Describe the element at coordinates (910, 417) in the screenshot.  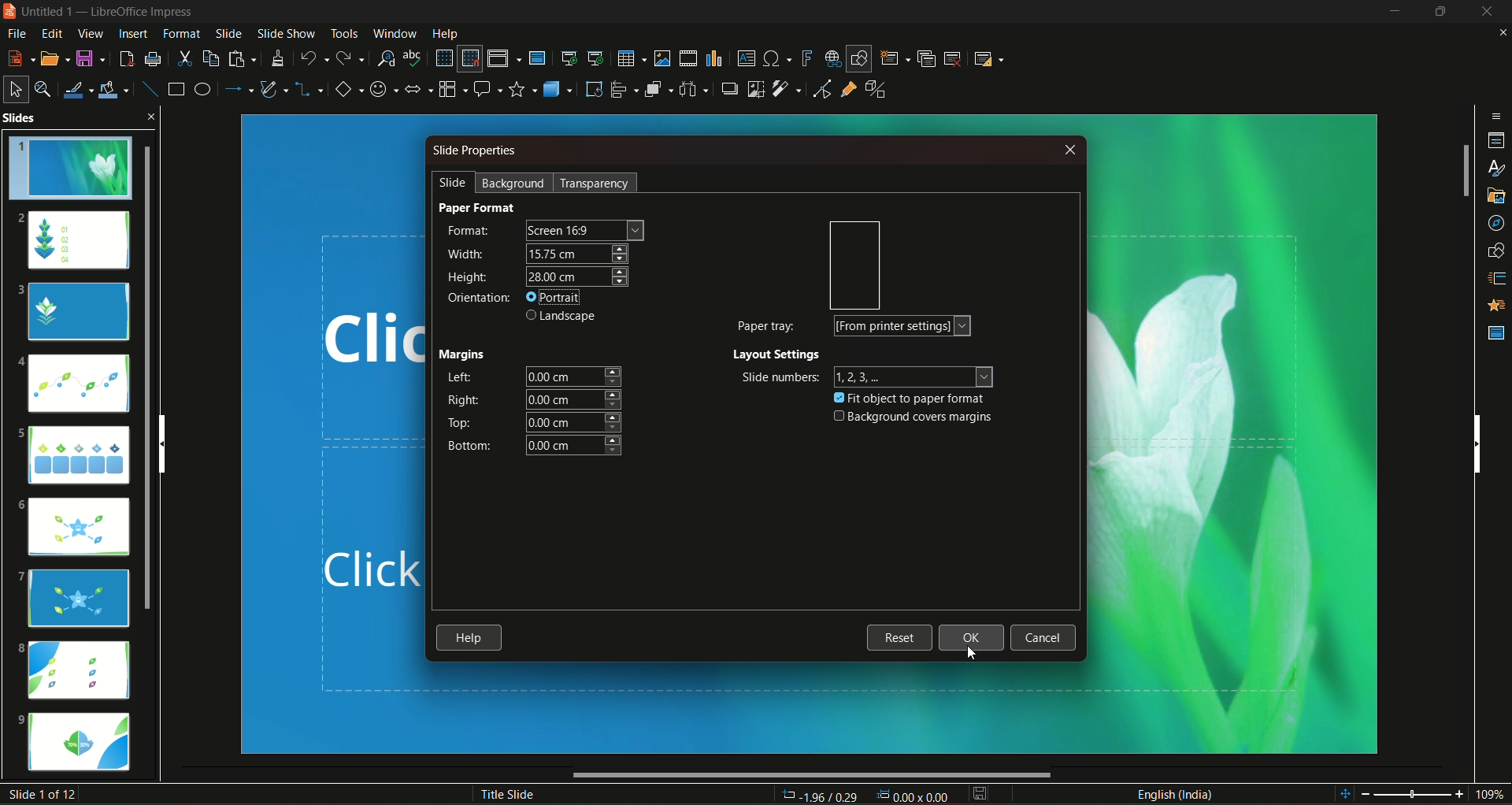
I see `background covers margins` at that location.